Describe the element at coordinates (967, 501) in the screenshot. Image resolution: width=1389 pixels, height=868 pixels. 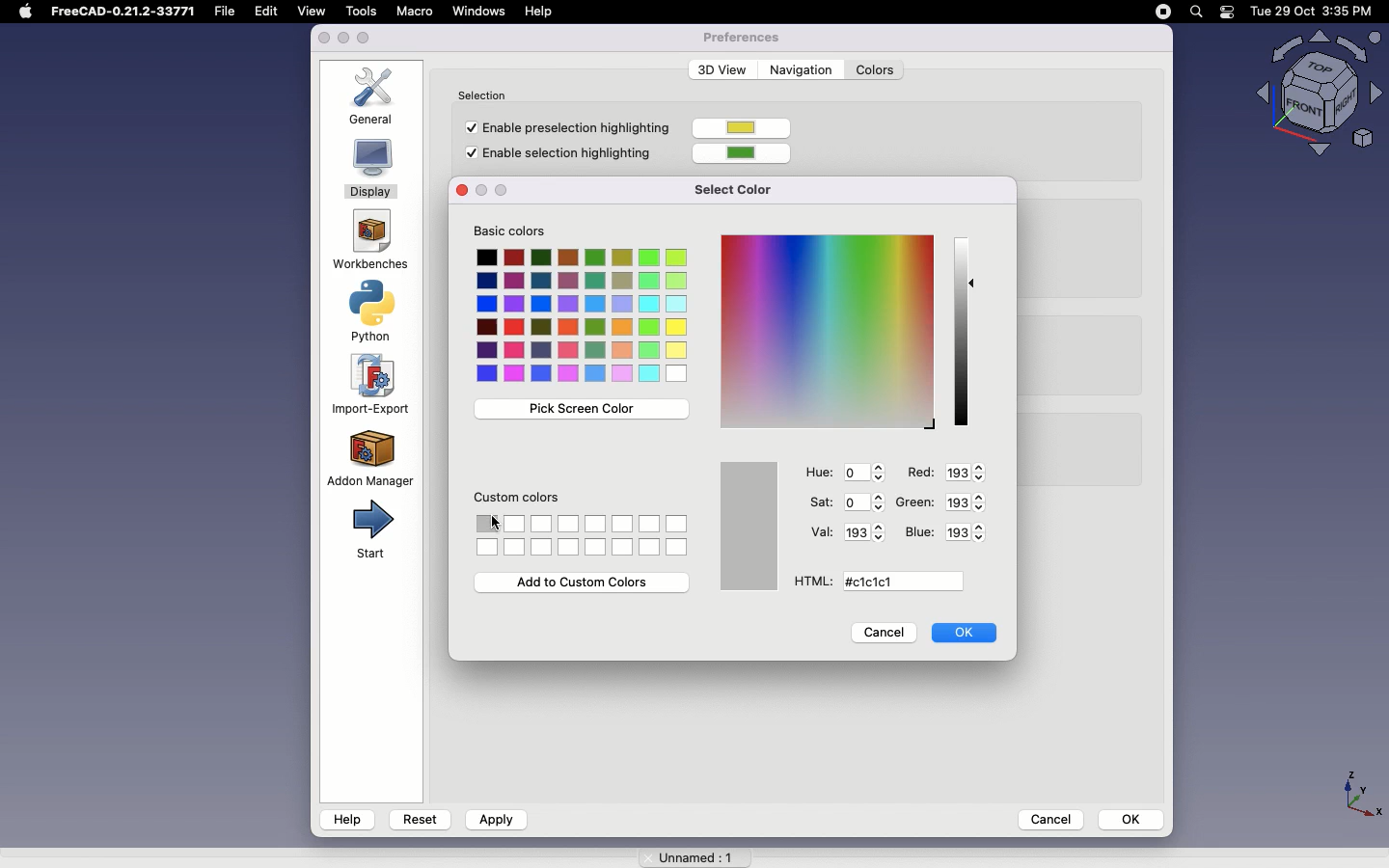
I see `193` at that location.